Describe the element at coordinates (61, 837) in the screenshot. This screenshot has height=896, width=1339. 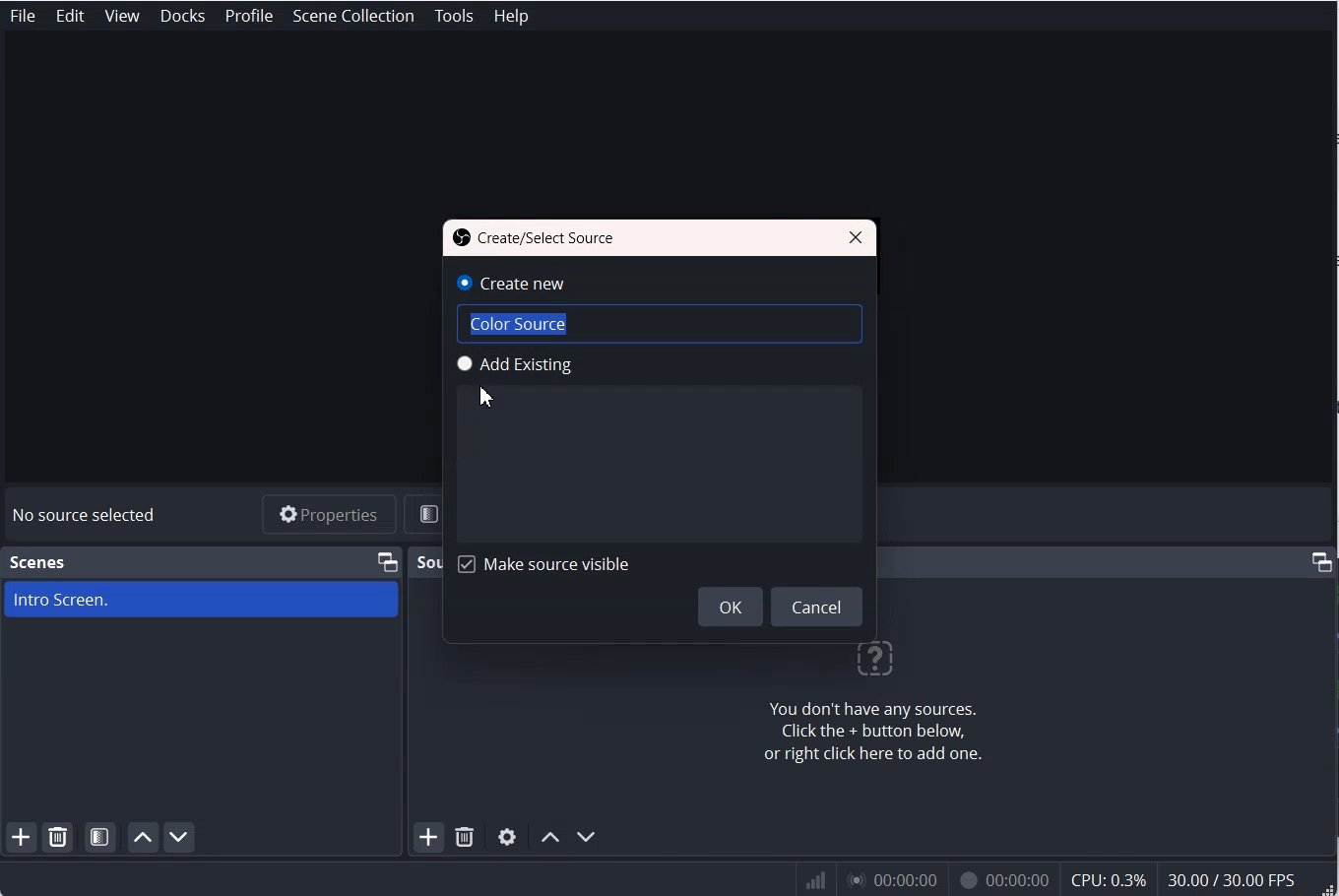
I see `Remove Selected Scene` at that location.